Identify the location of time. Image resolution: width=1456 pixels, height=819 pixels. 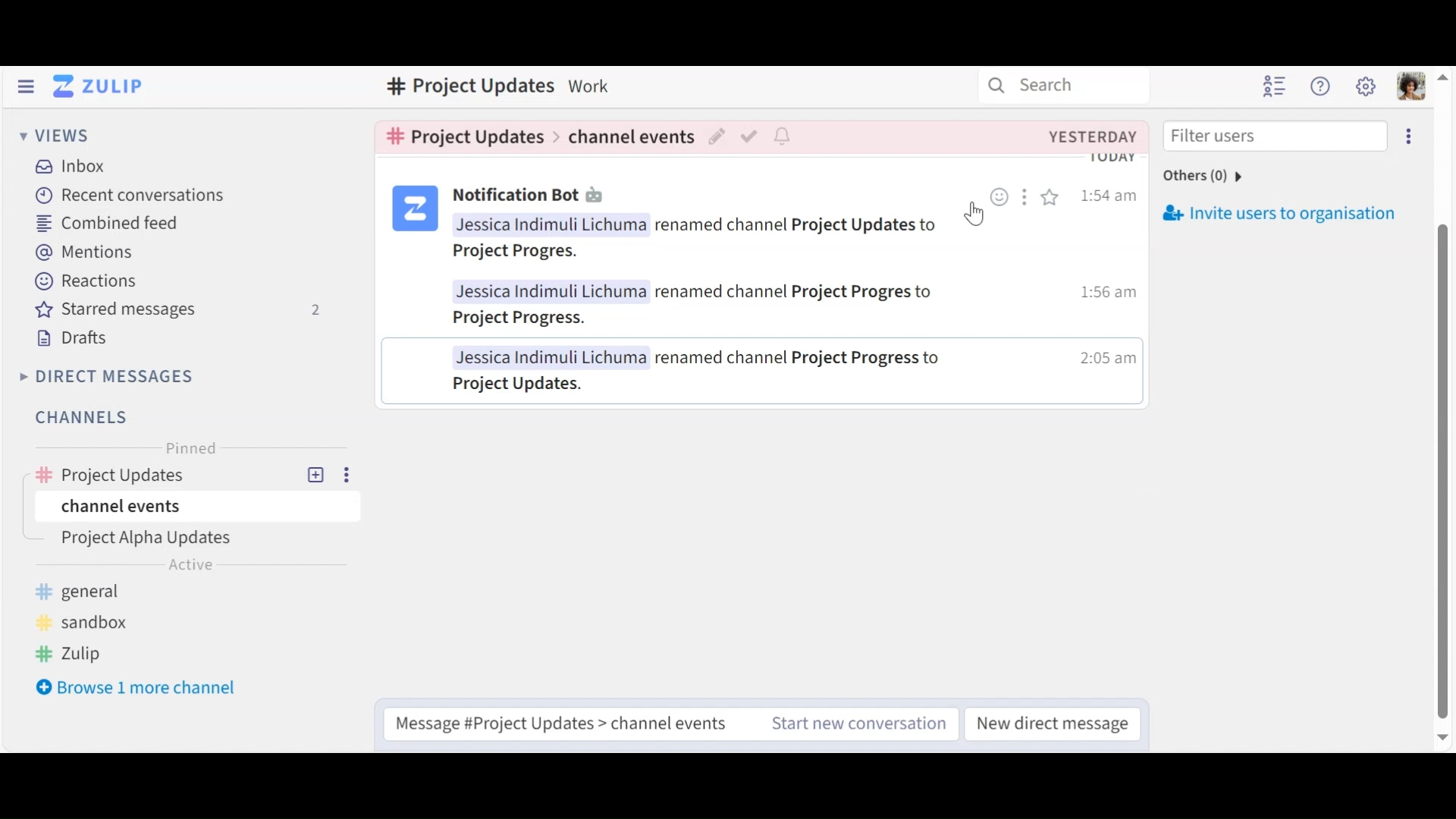
(1109, 295).